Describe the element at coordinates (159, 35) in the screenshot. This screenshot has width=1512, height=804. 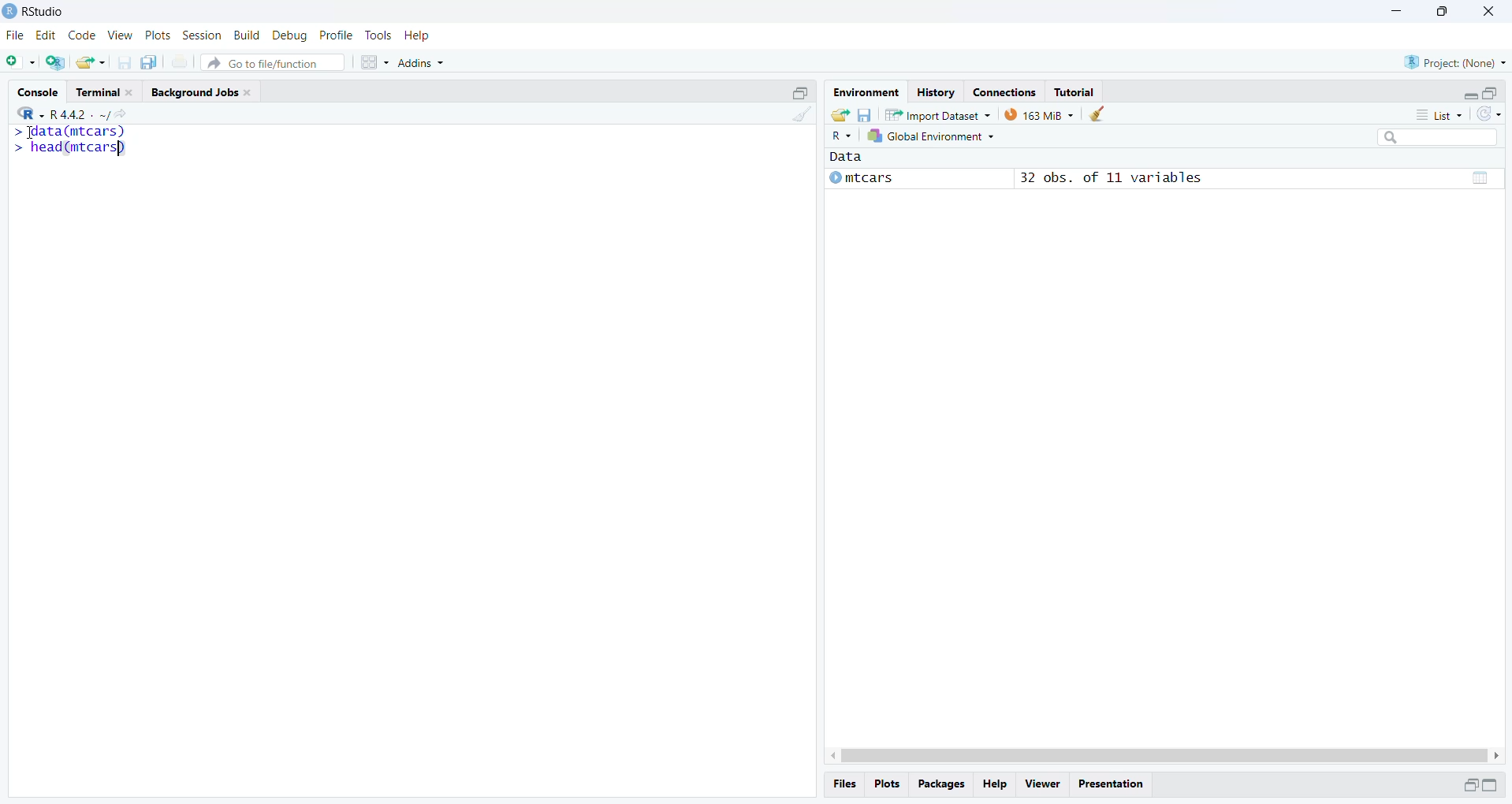
I see `plots` at that location.